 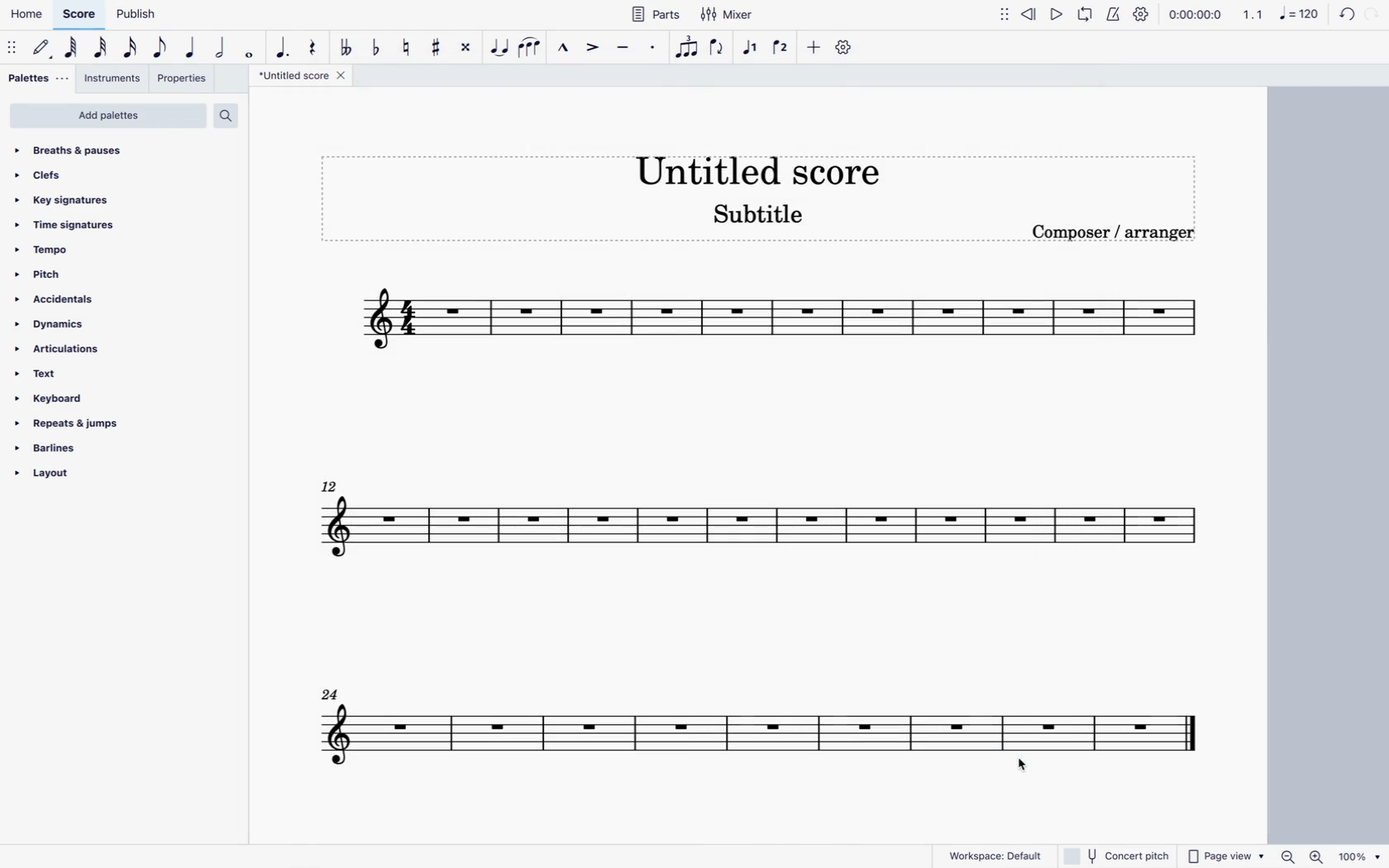 What do you see at coordinates (1226, 853) in the screenshot?
I see `page view` at bounding box center [1226, 853].